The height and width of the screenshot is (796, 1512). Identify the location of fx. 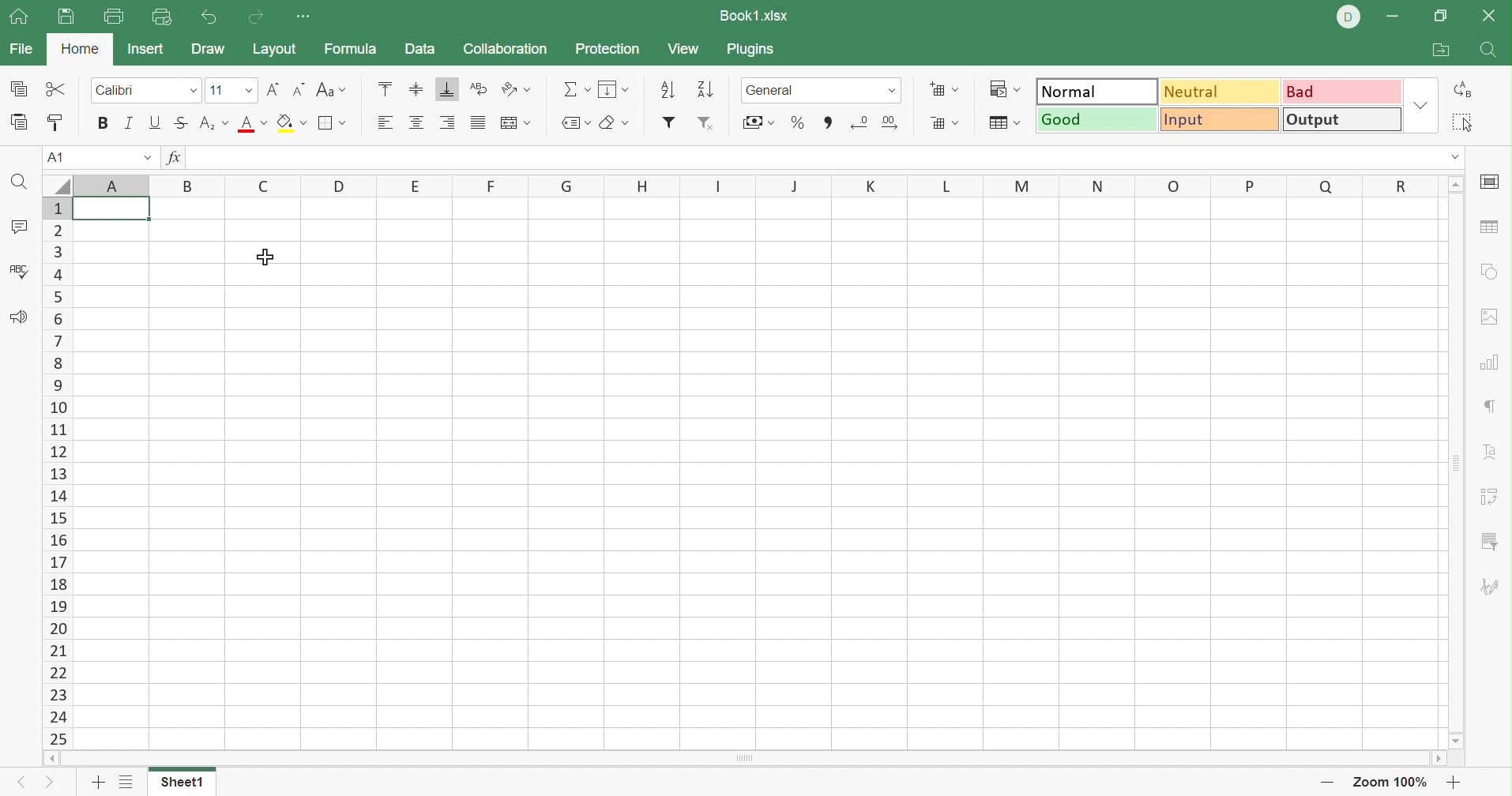
(178, 157).